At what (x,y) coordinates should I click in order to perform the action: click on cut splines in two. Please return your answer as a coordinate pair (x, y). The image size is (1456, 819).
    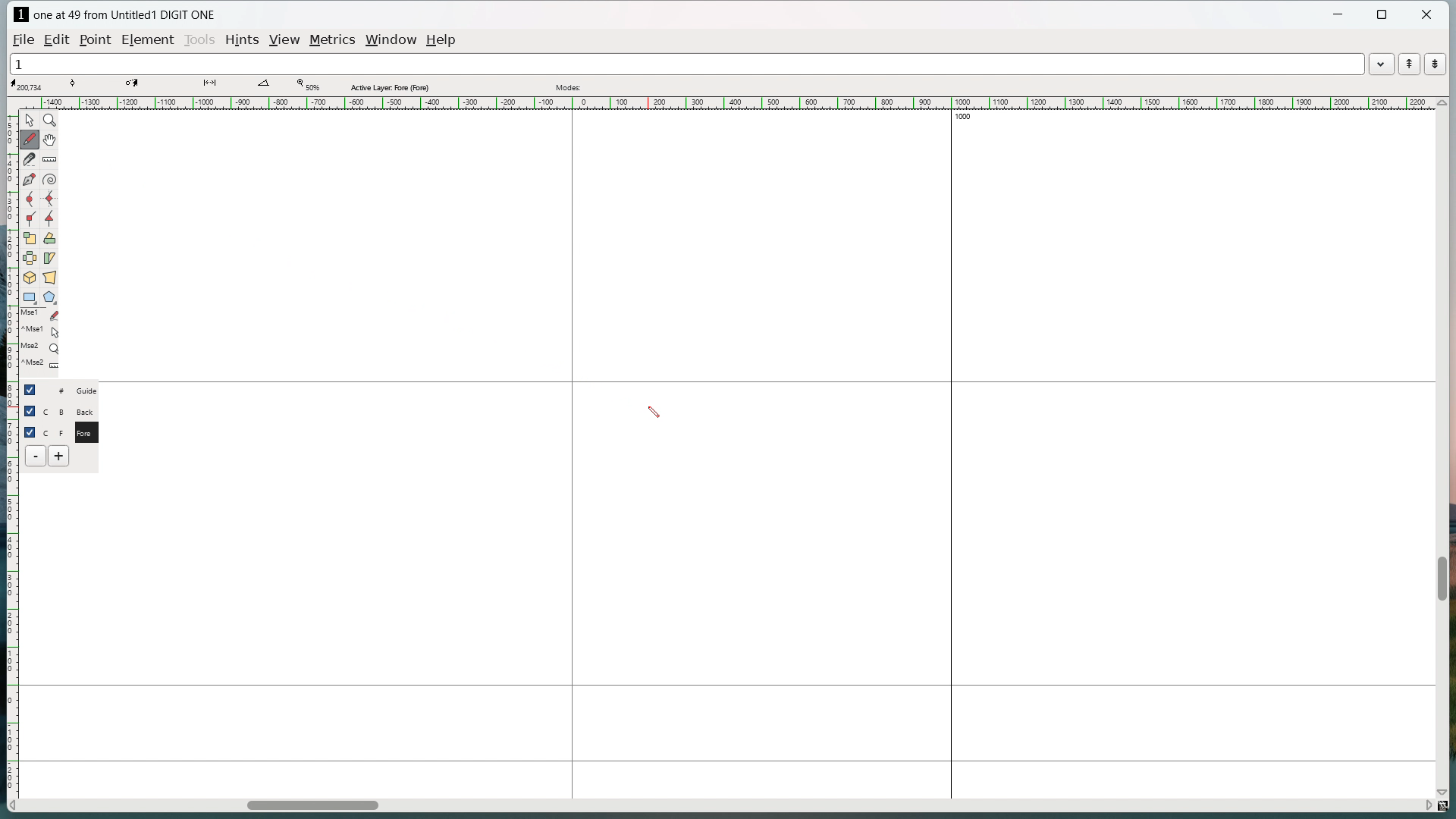
    Looking at the image, I should click on (30, 159).